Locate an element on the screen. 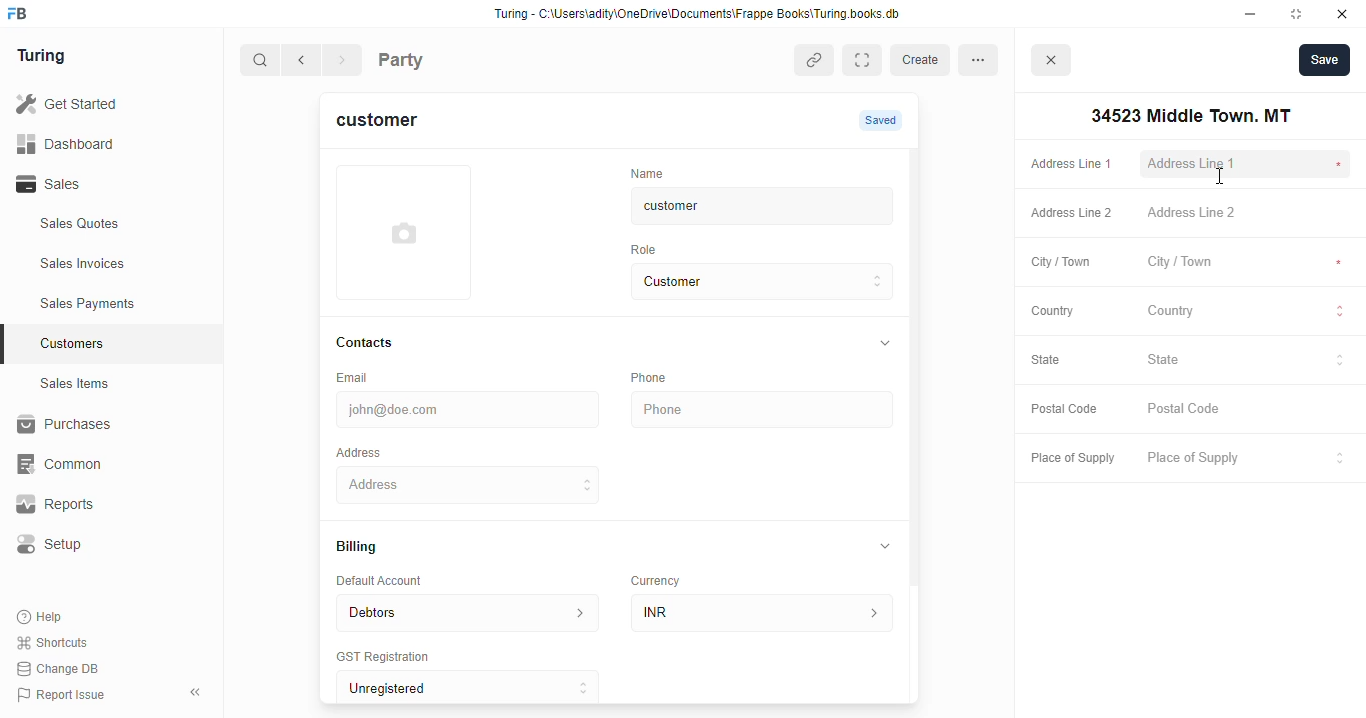 The width and height of the screenshot is (1366, 718). Phone is located at coordinates (765, 410).